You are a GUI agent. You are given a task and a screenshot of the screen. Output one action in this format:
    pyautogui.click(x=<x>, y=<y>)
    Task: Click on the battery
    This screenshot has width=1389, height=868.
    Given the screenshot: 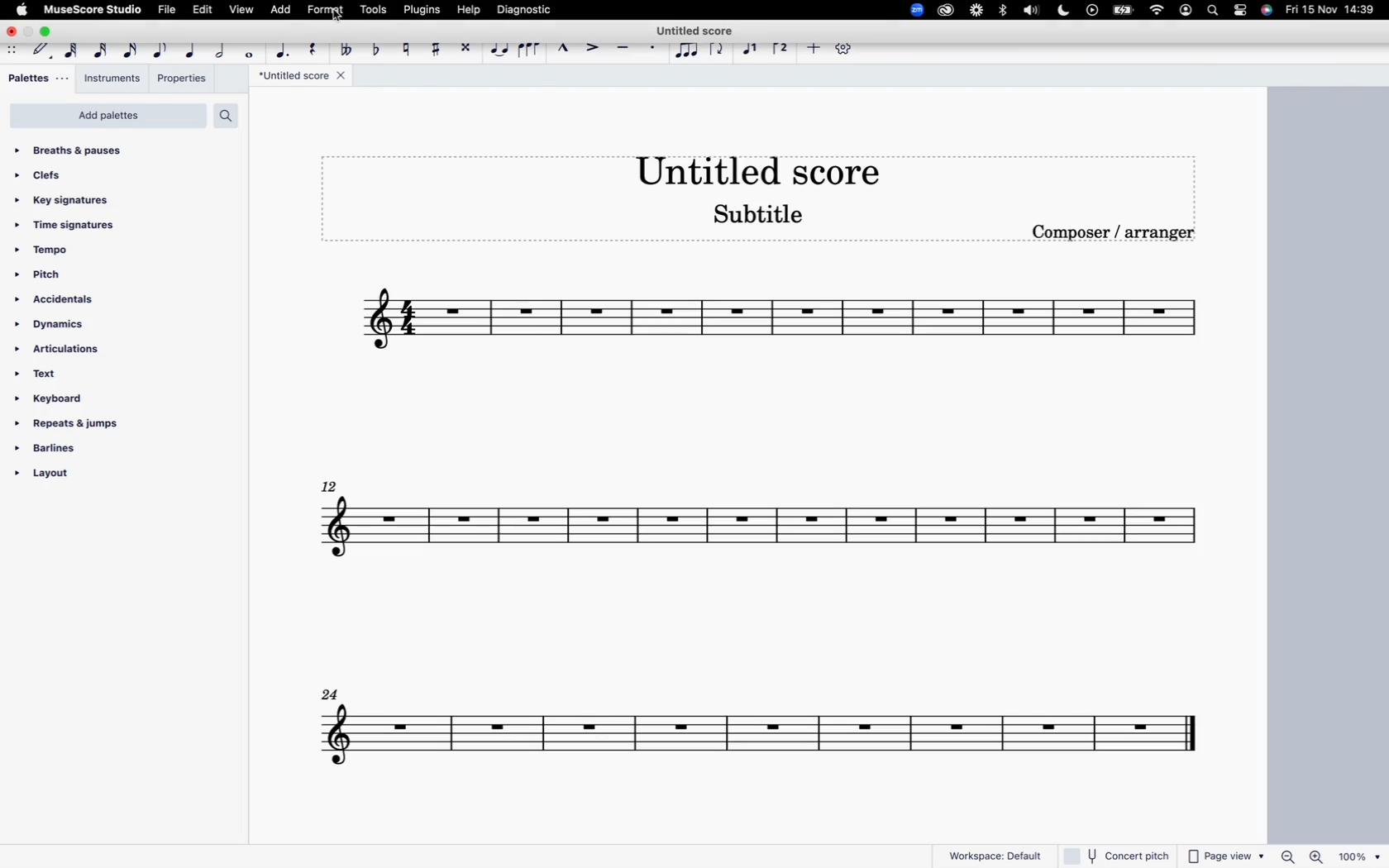 What is the action you would take?
    pyautogui.click(x=1123, y=12)
    